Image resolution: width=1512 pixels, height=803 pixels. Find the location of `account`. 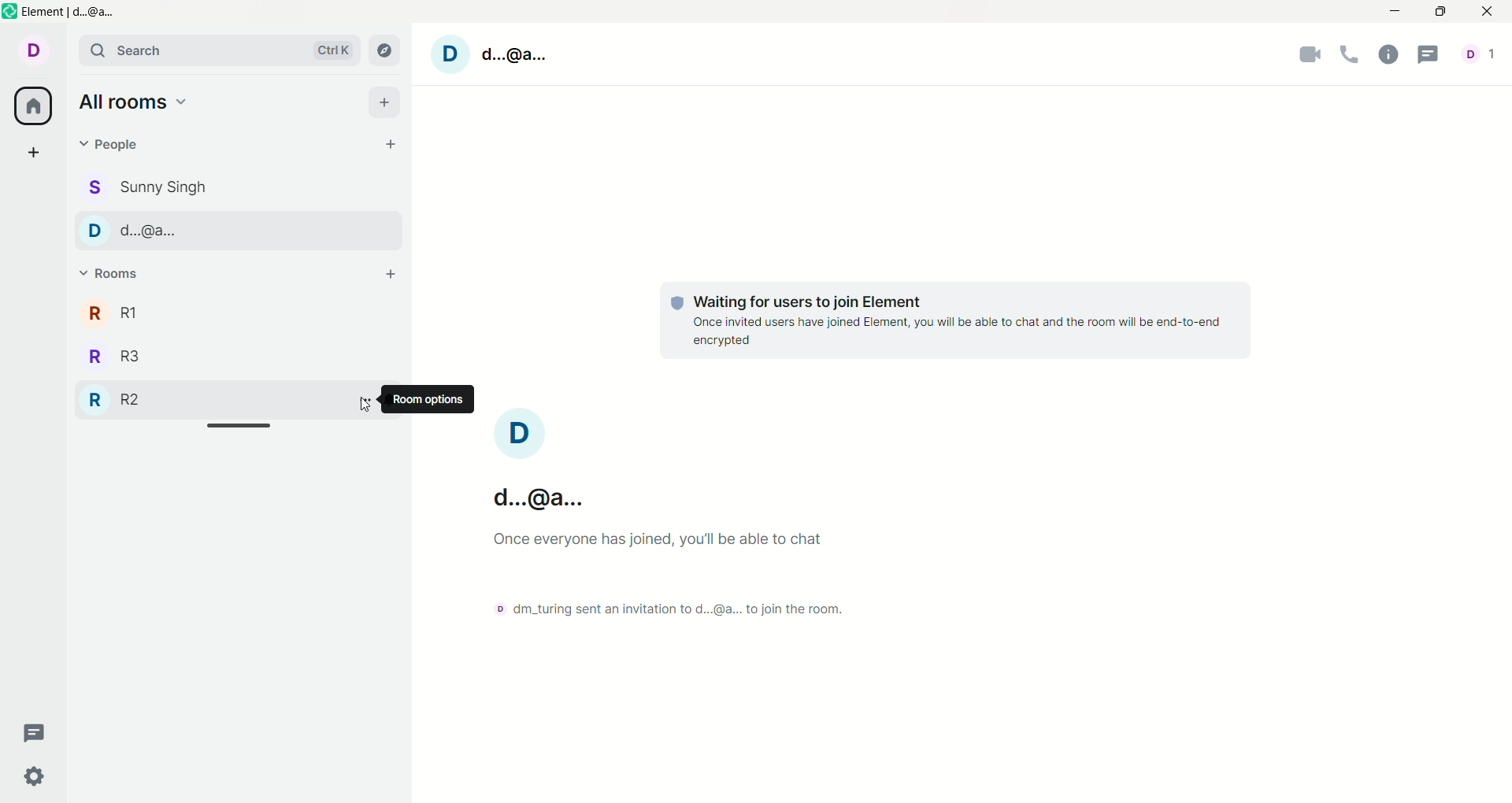

account is located at coordinates (495, 54).